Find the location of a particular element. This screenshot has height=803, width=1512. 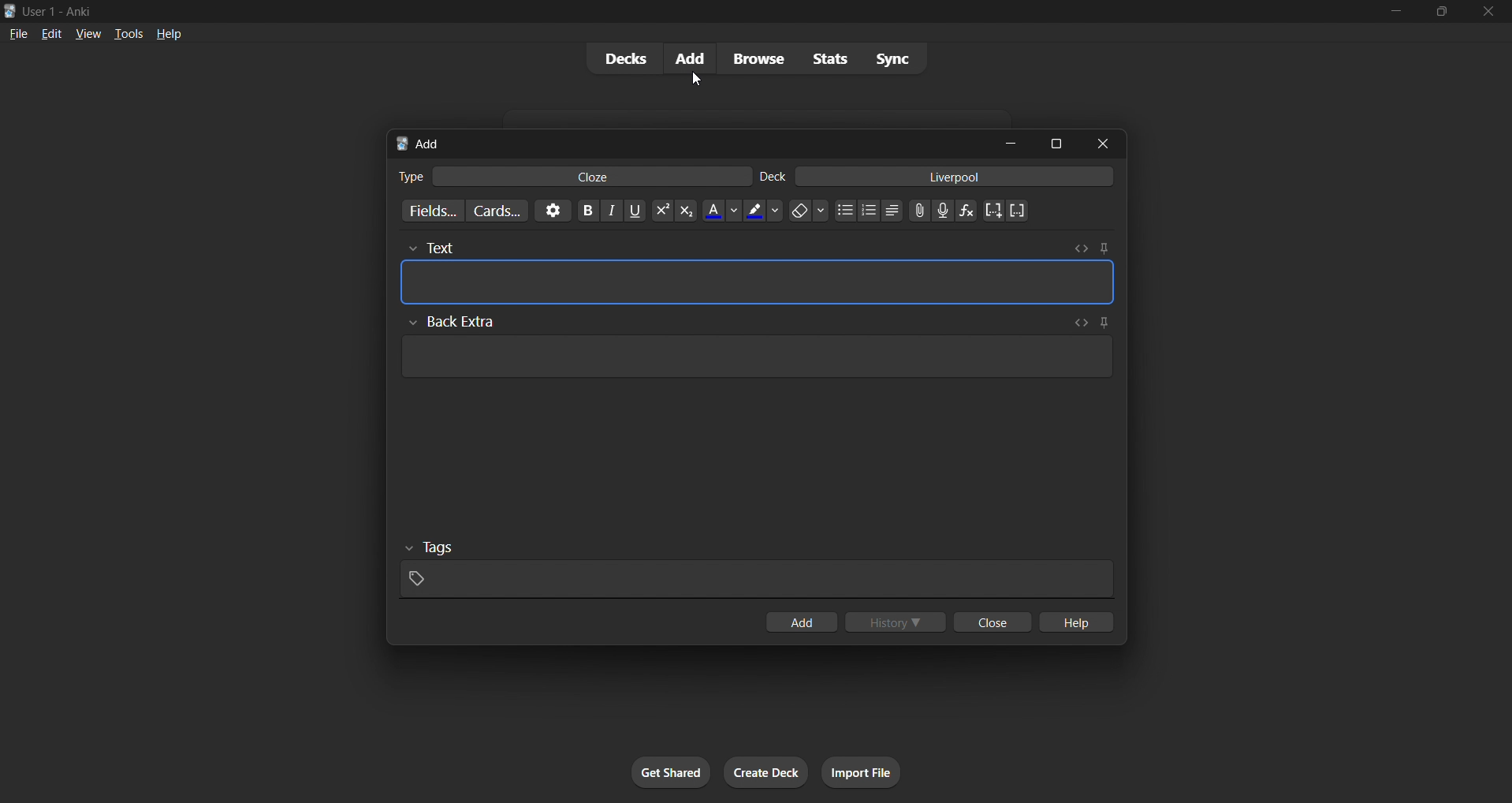

highlight color is located at coordinates (763, 214).